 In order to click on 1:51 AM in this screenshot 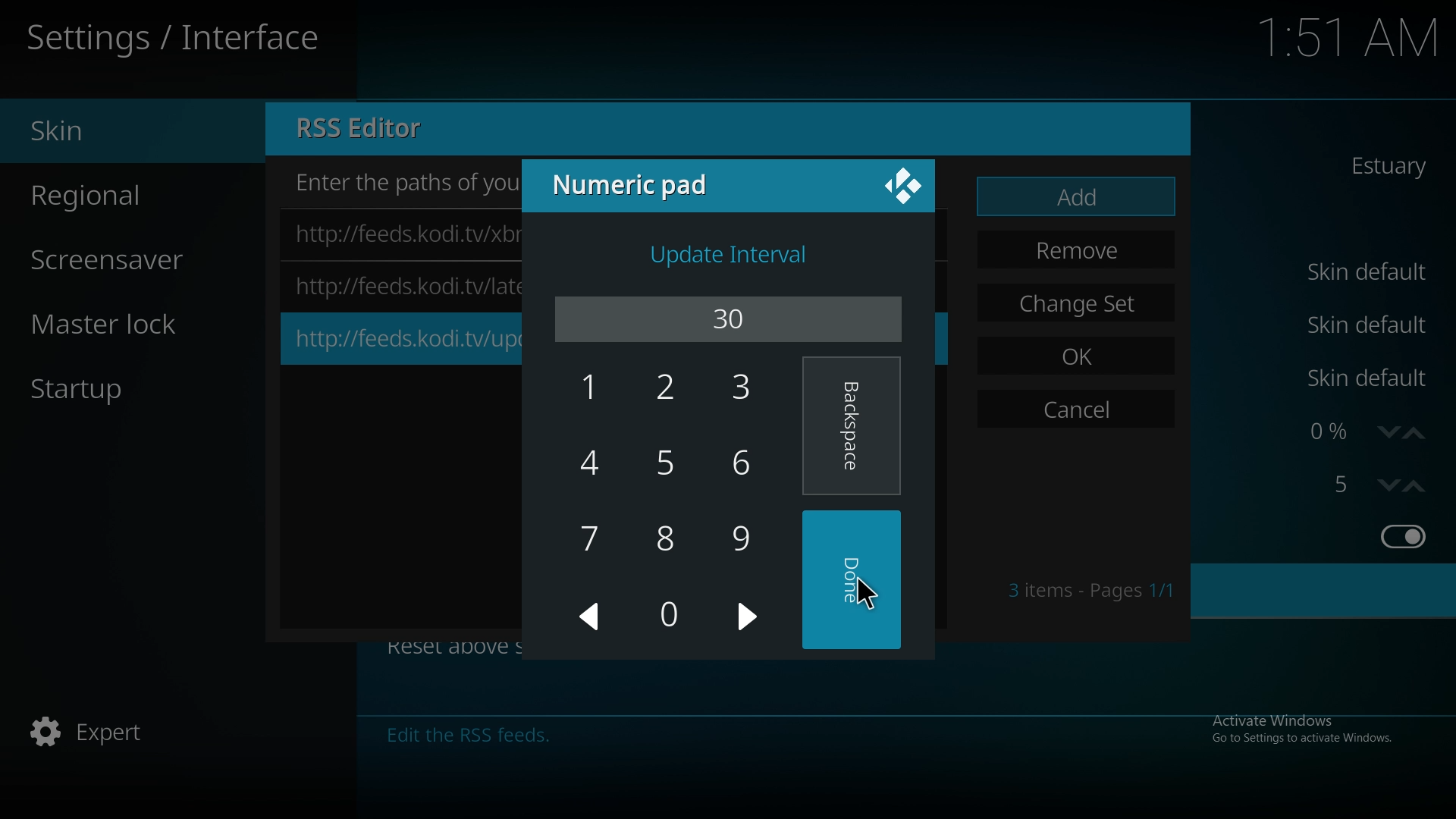, I will do `click(1345, 38)`.